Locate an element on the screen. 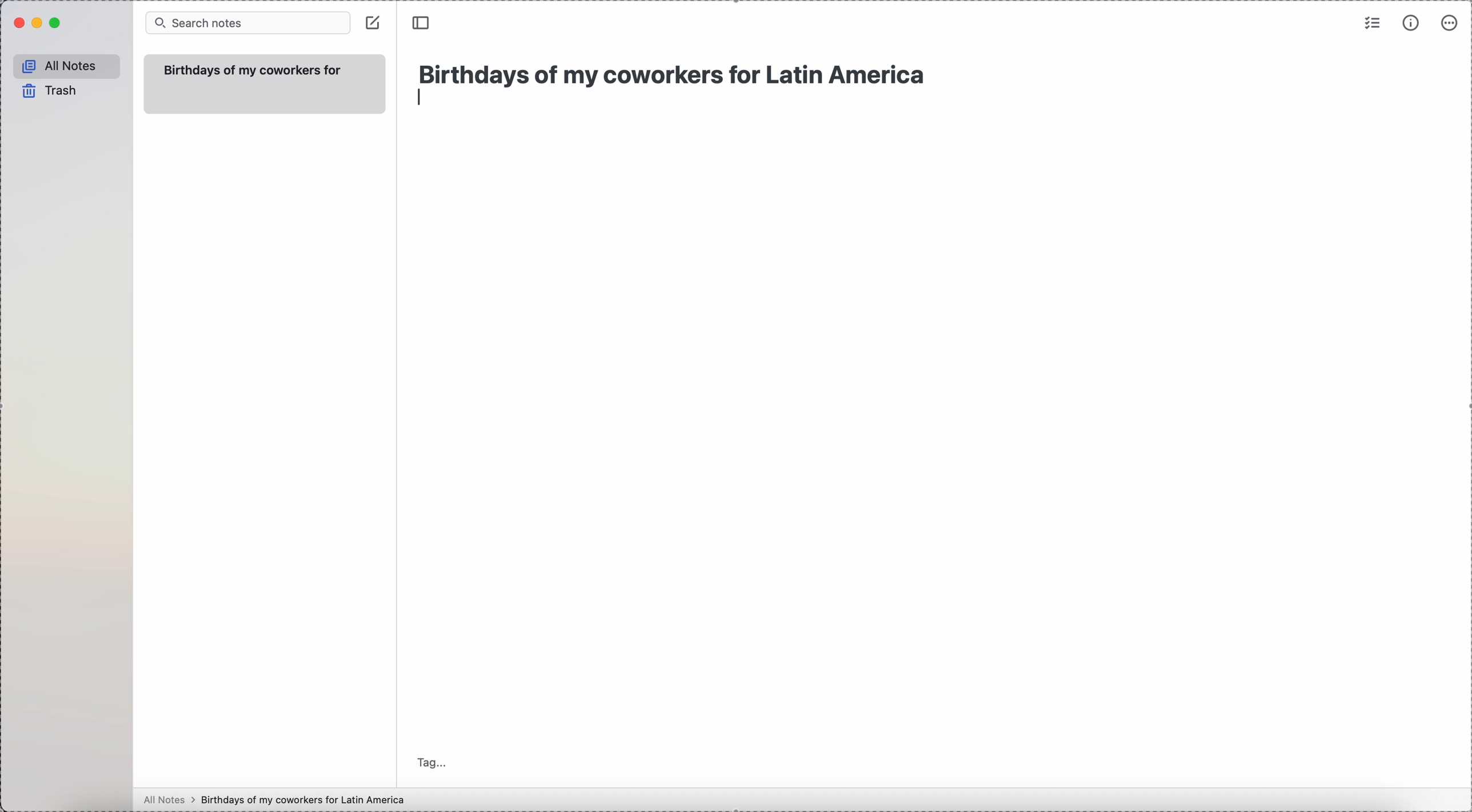 This screenshot has width=1472, height=812. Birthdays of my coworkers for Latin America is located at coordinates (250, 69).